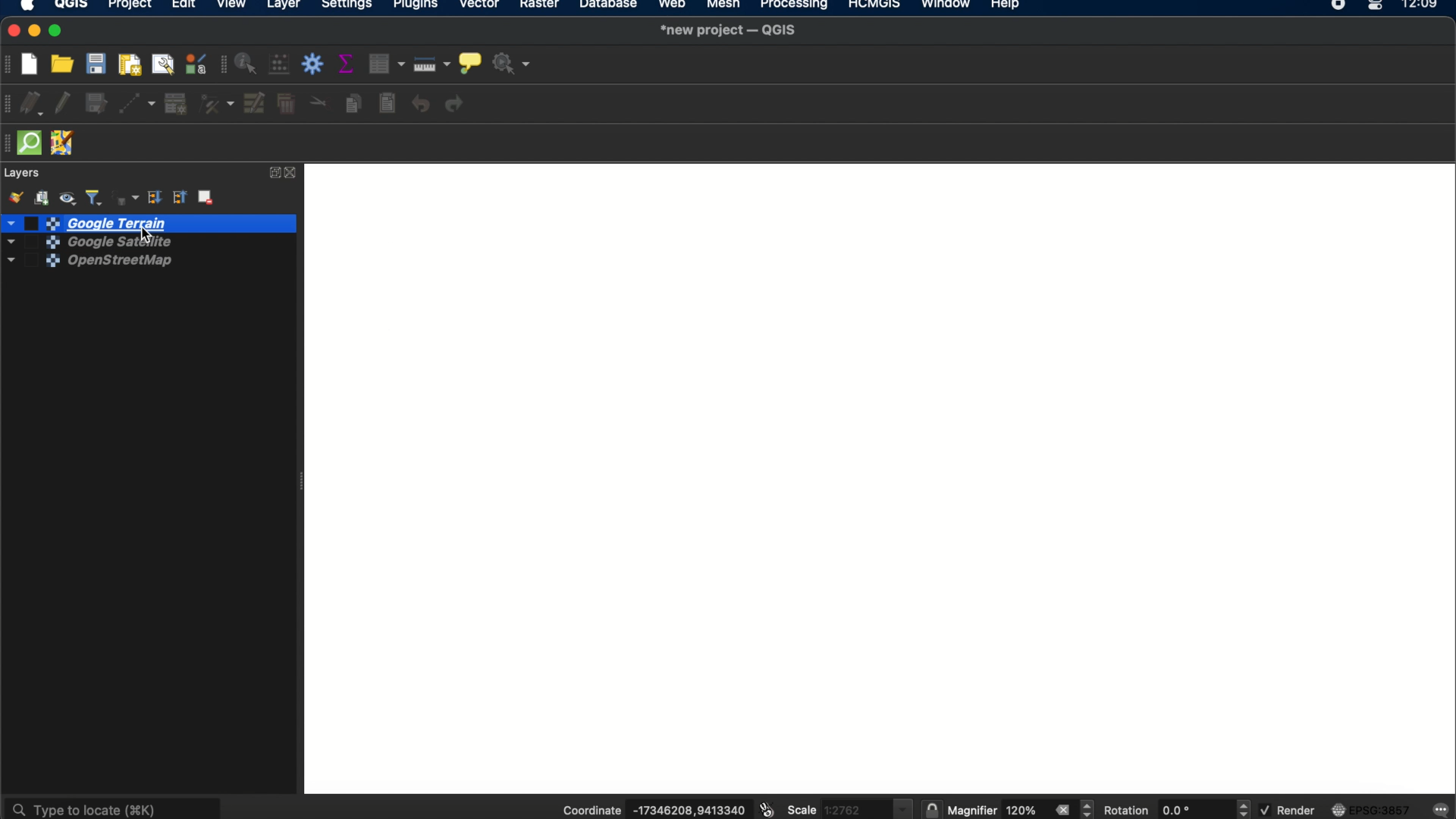  What do you see at coordinates (722, 6) in the screenshot?
I see `mesh` at bounding box center [722, 6].